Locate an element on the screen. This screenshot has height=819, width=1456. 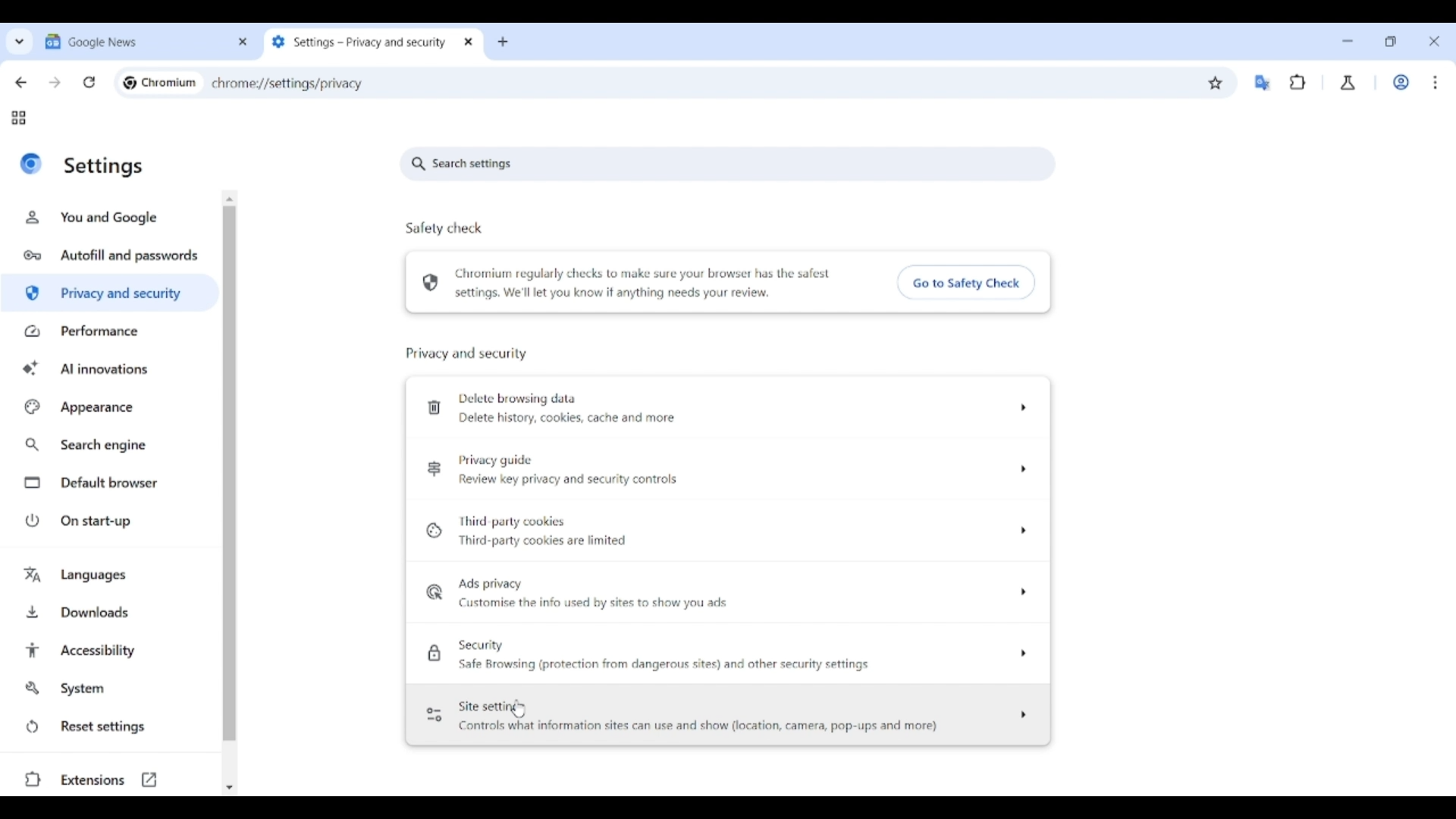
Third party cookie options  is located at coordinates (725, 531).